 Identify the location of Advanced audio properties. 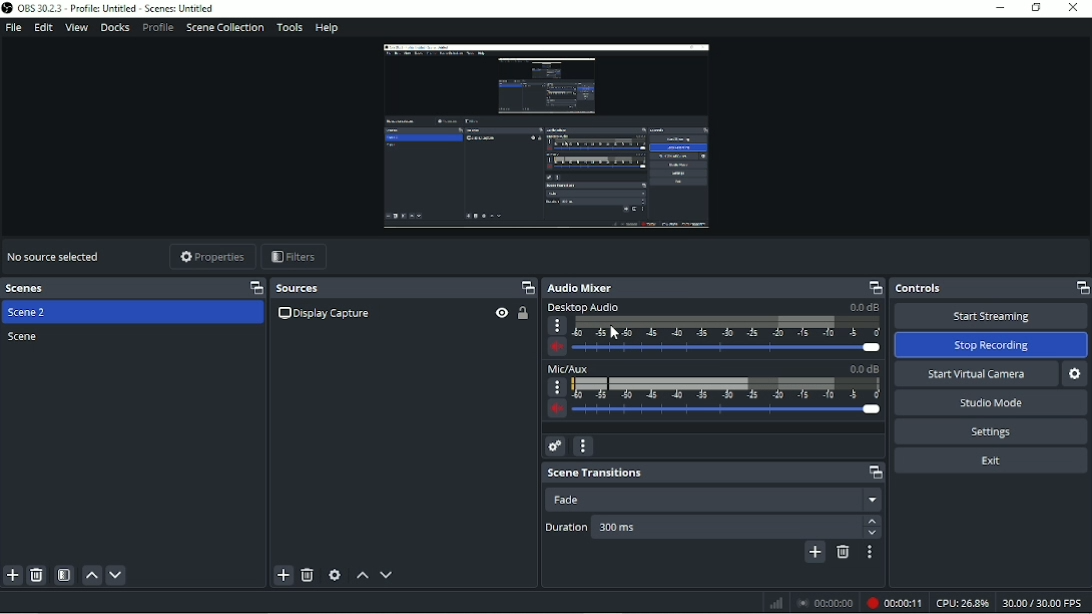
(556, 446).